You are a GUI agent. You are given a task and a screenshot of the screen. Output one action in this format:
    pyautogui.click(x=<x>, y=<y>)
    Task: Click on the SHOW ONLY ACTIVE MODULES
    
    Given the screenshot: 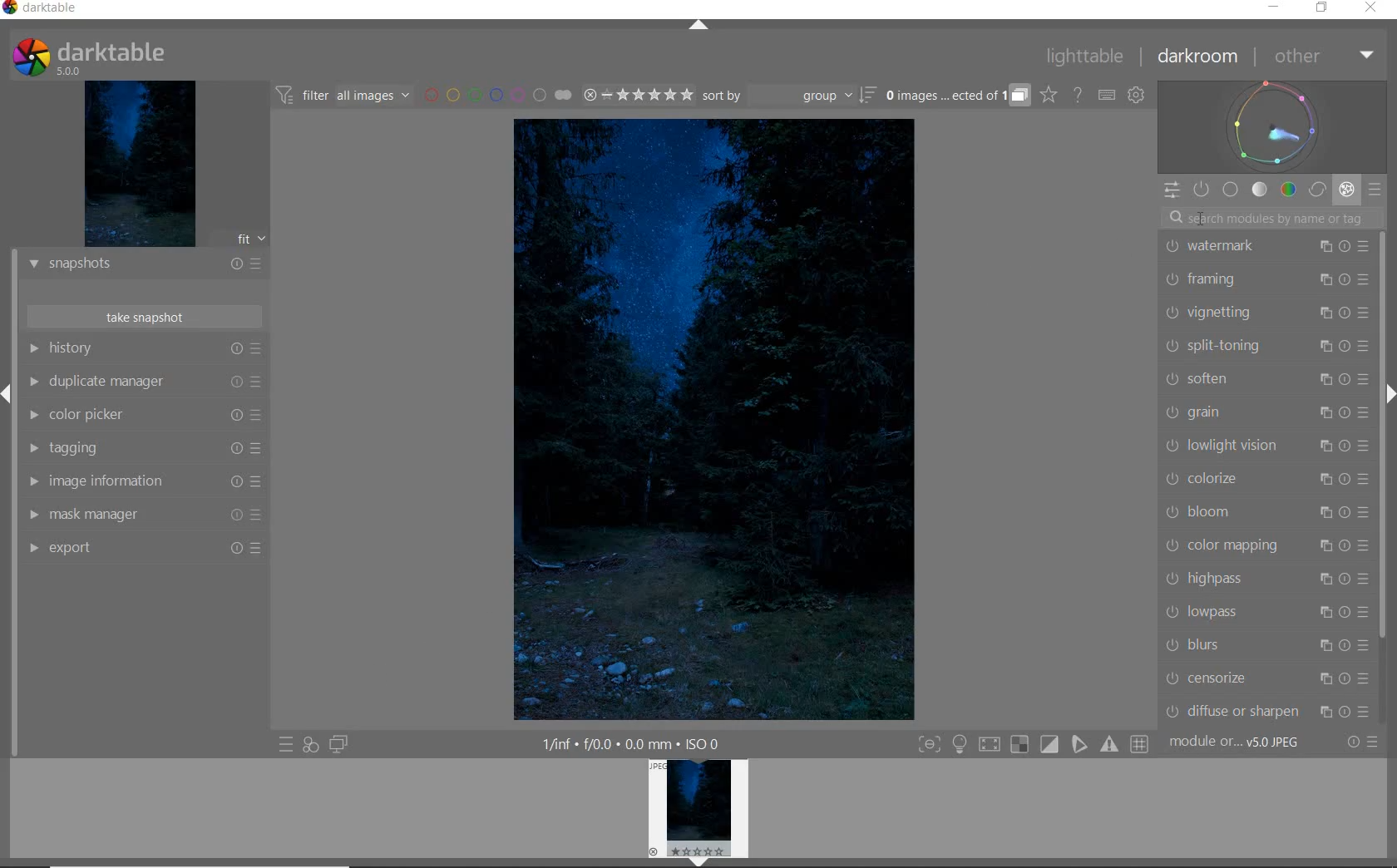 What is the action you would take?
    pyautogui.click(x=1202, y=190)
    